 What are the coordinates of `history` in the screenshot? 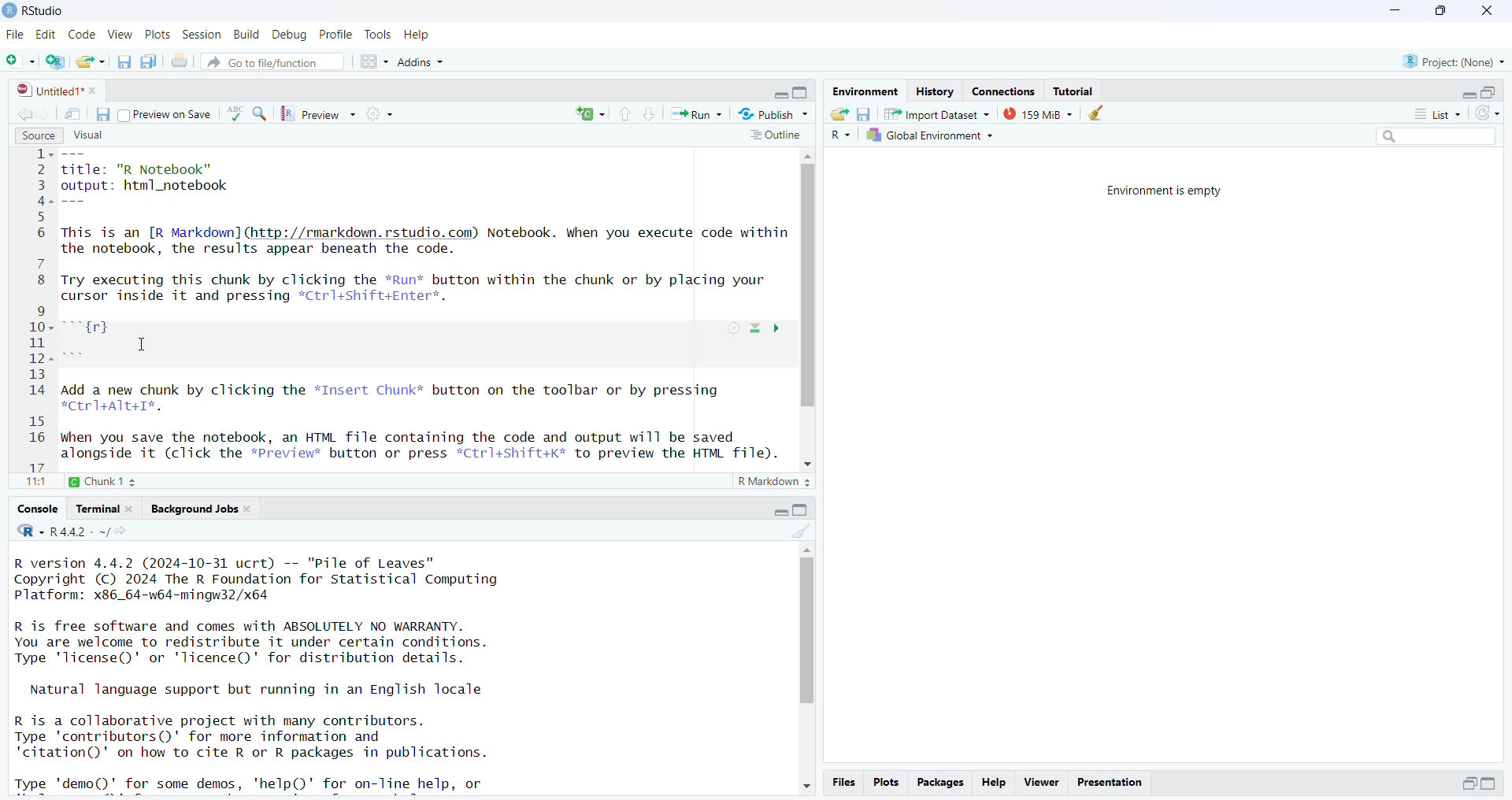 It's located at (934, 92).